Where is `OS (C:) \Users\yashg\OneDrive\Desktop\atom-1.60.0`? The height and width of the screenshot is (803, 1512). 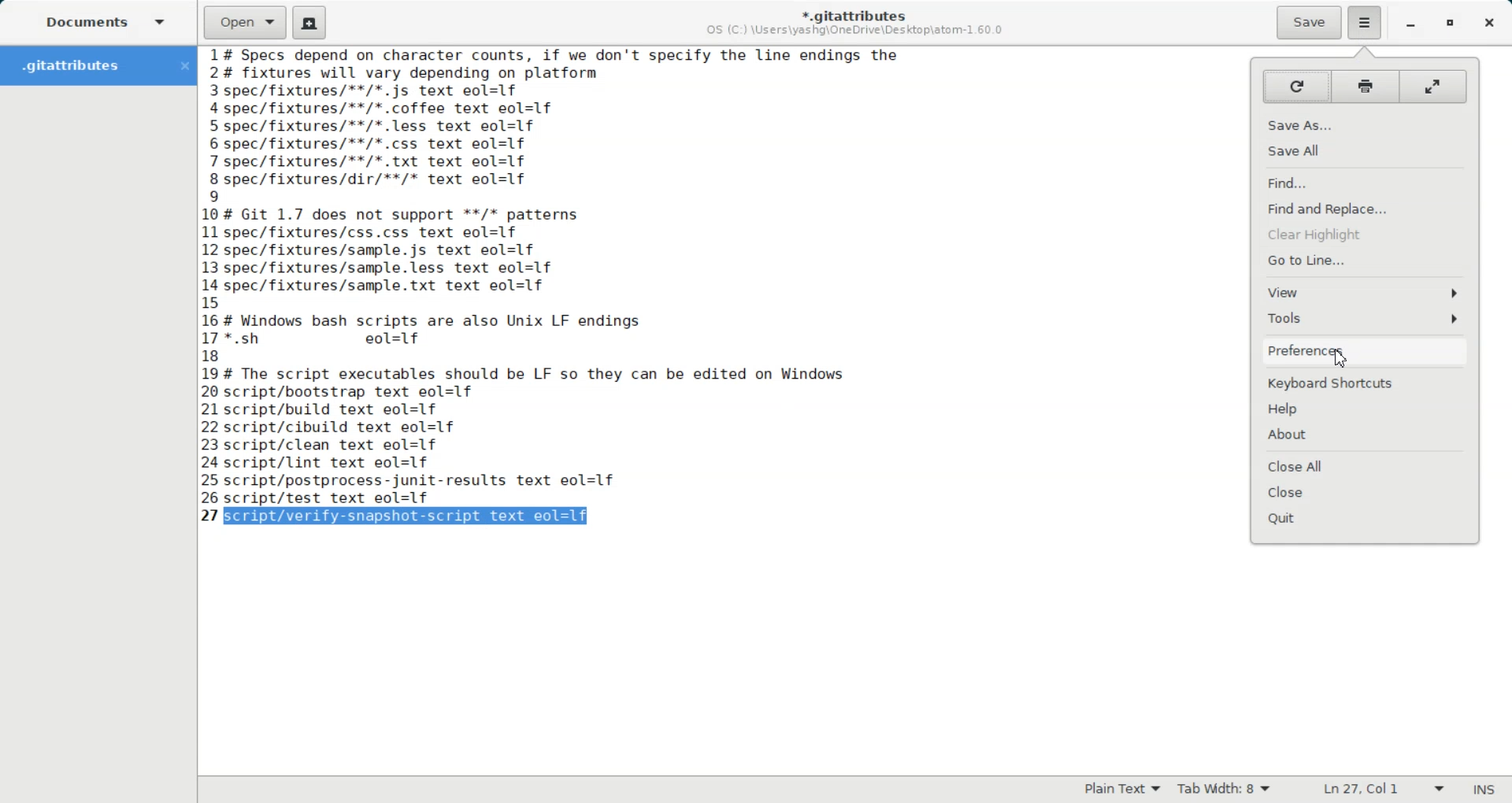 OS (C:) \Users\yashg\OneDrive\Desktop\atom-1.60.0 is located at coordinates (858, 31).